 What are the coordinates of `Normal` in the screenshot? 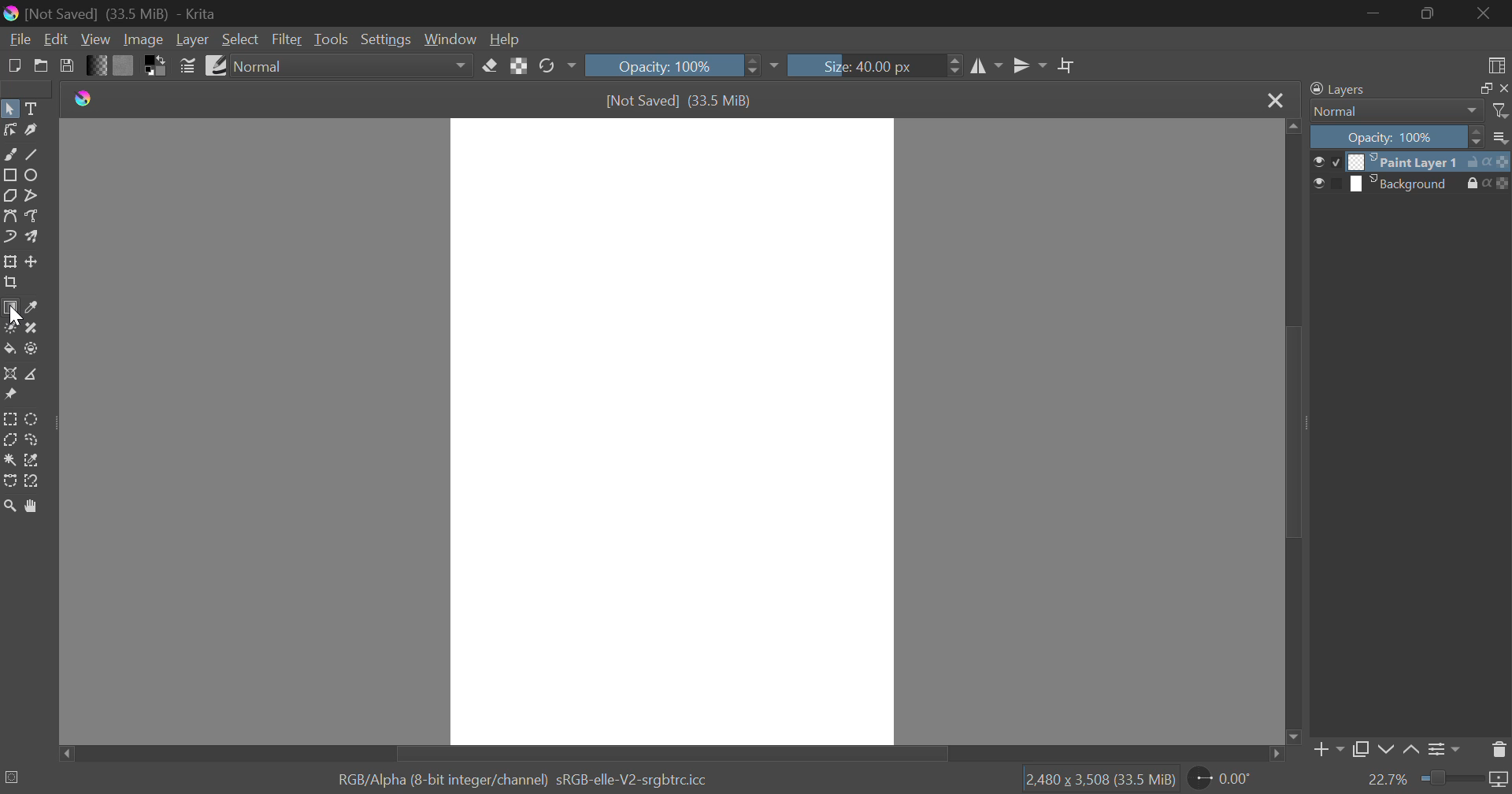 It's located at (1388, 111).